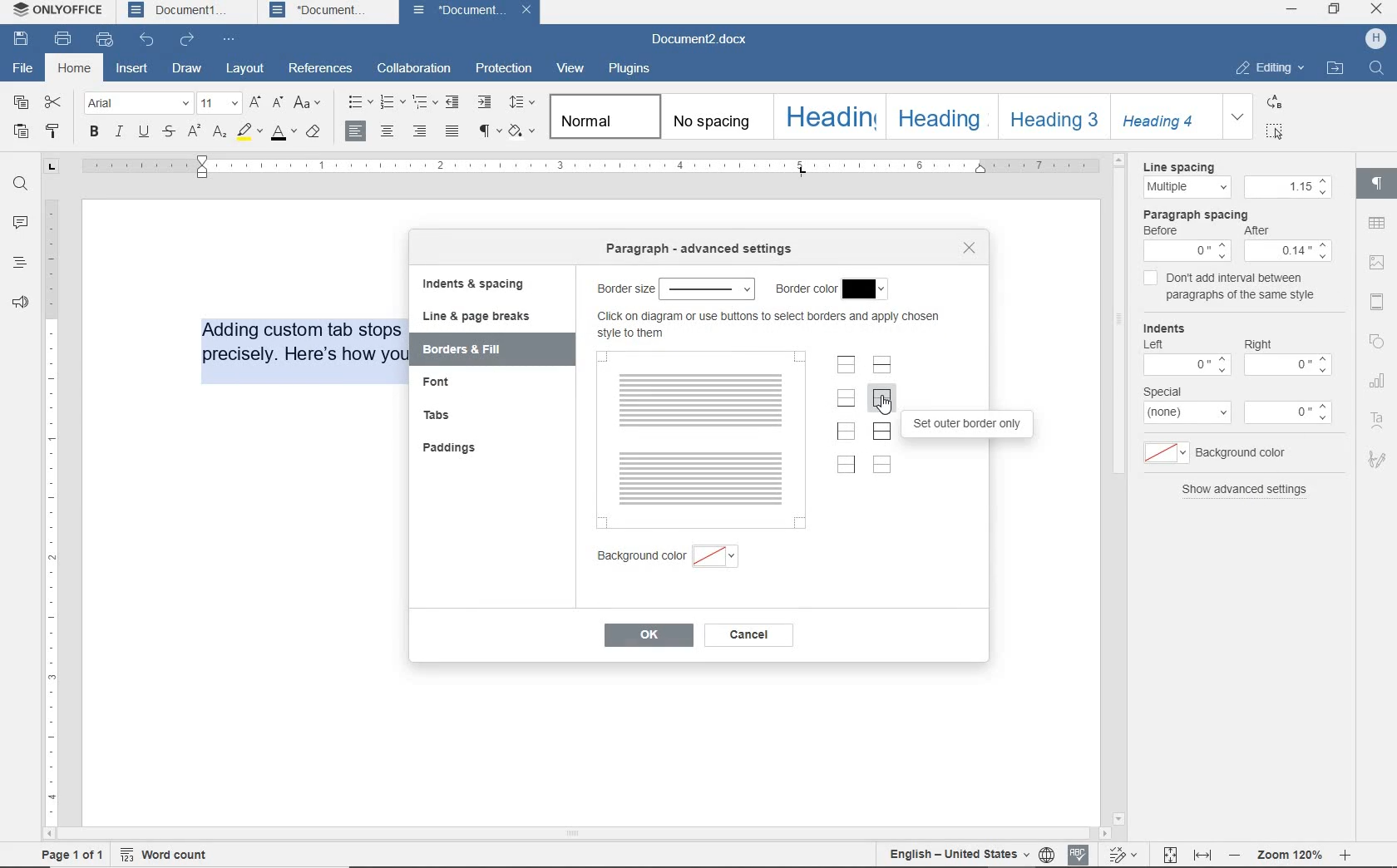  Describe the element at coordinates (21, 185) in the screenshot. I see `find` at that location.